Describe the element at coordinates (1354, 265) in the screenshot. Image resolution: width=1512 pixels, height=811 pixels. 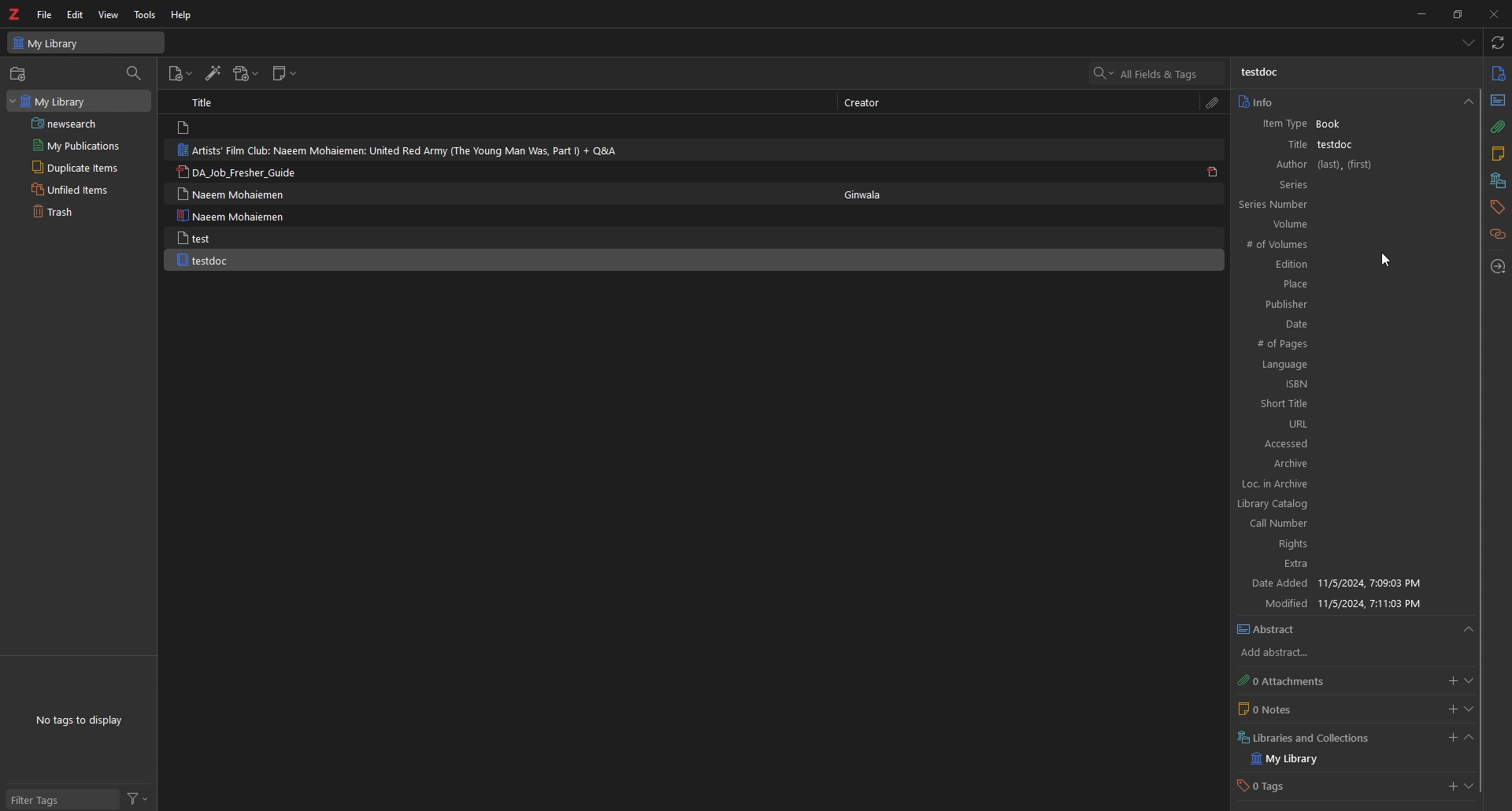
I see `Edition` at that location.